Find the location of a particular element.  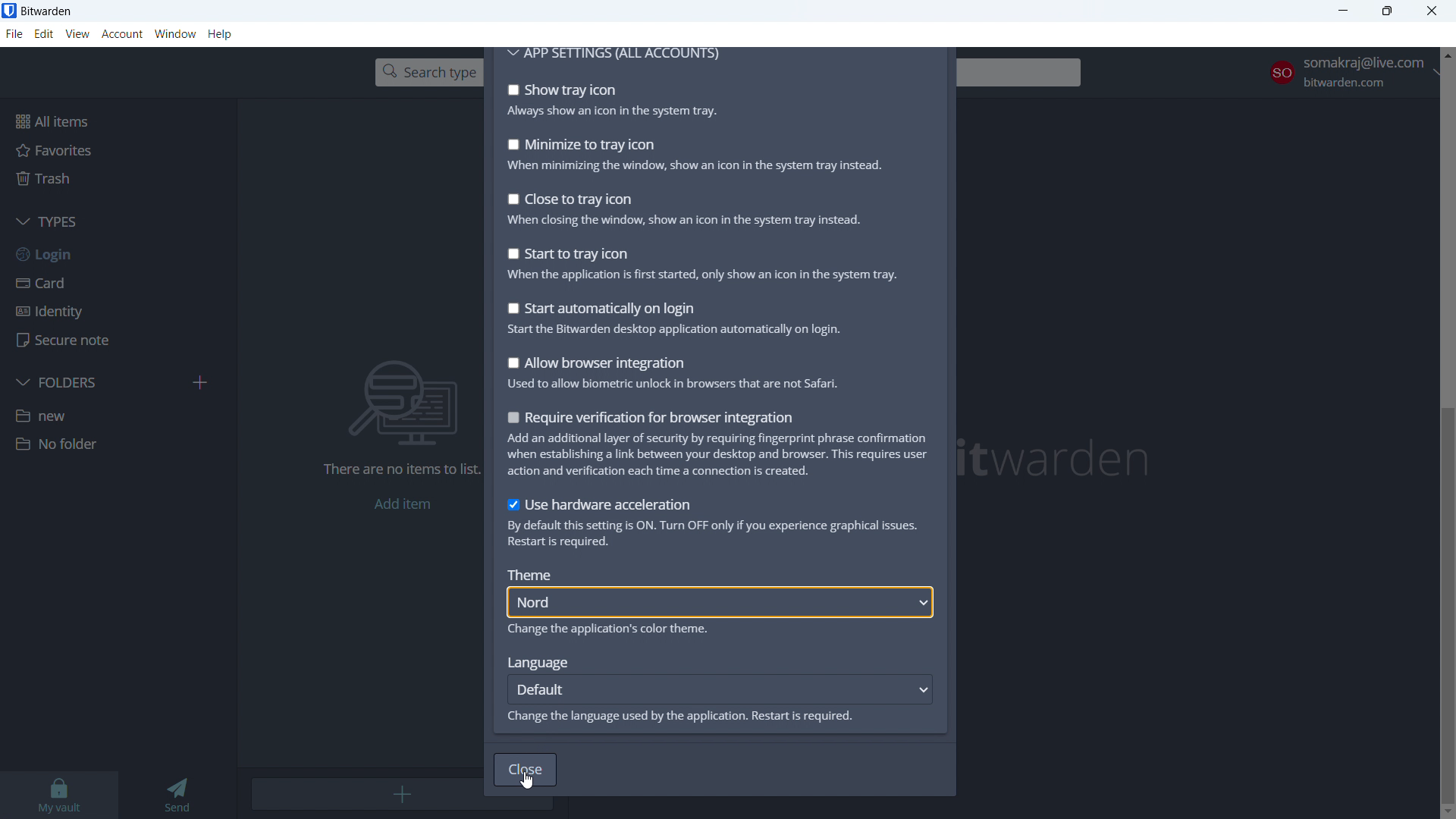

folder 2 is located at coordinates (117, 444).